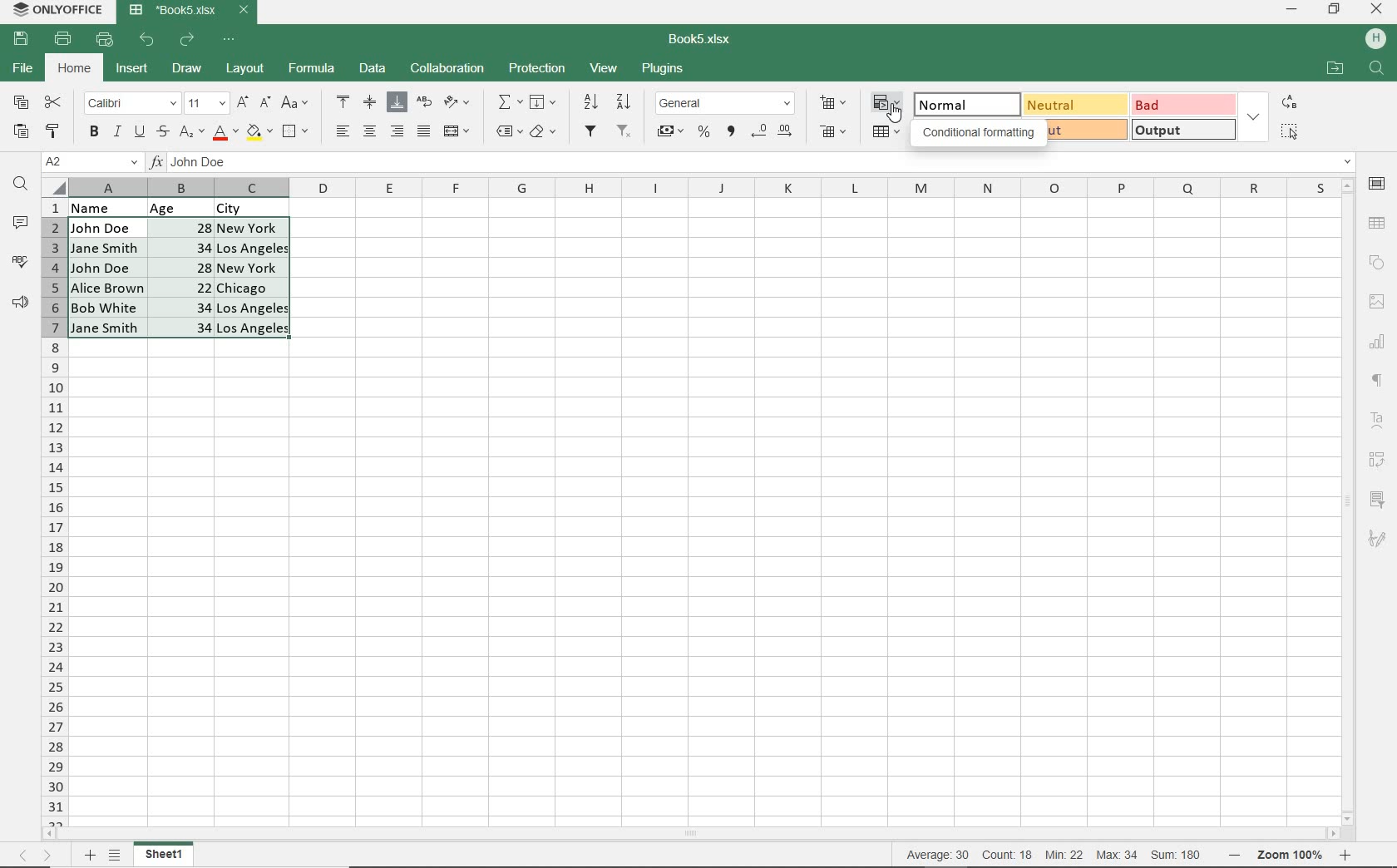  What do you see at coordinates (243, 102) in the screenshot?
I see `INCREMENT FONT SIZE` at bounding box center [243, 102].